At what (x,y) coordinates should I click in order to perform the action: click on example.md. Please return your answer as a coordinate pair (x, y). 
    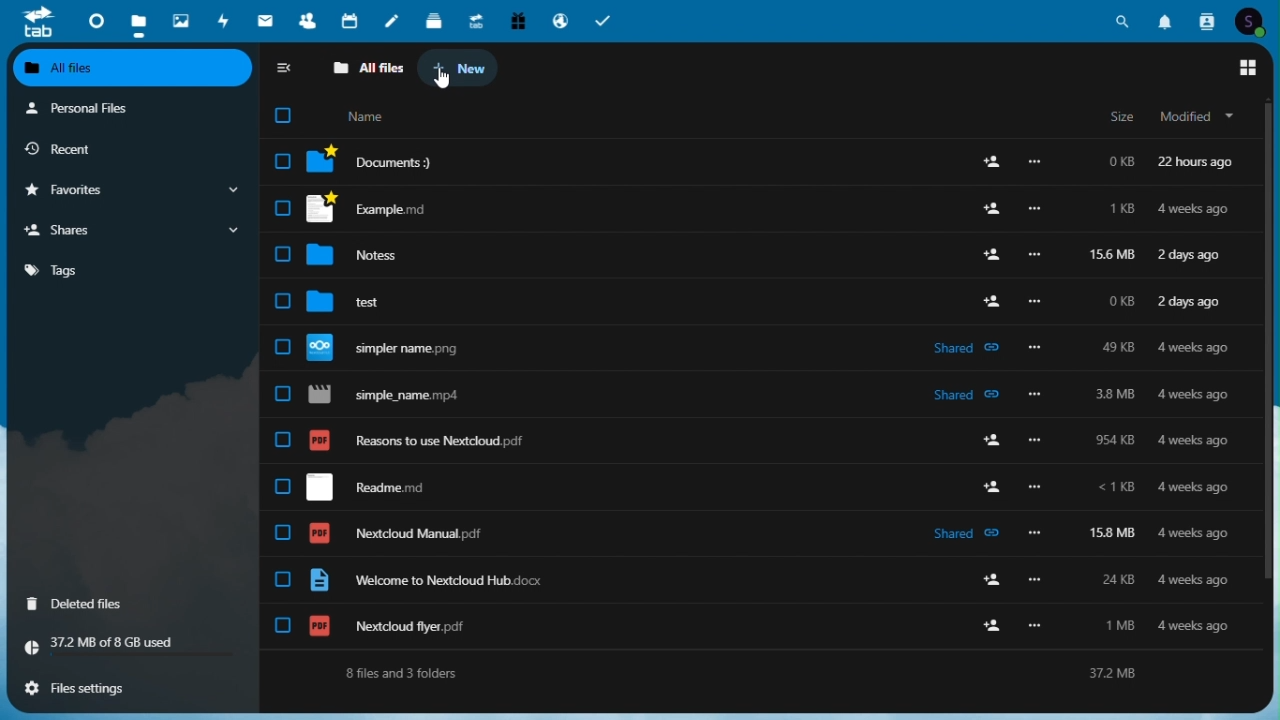
    Looking at the image, I should click on (367, 209).